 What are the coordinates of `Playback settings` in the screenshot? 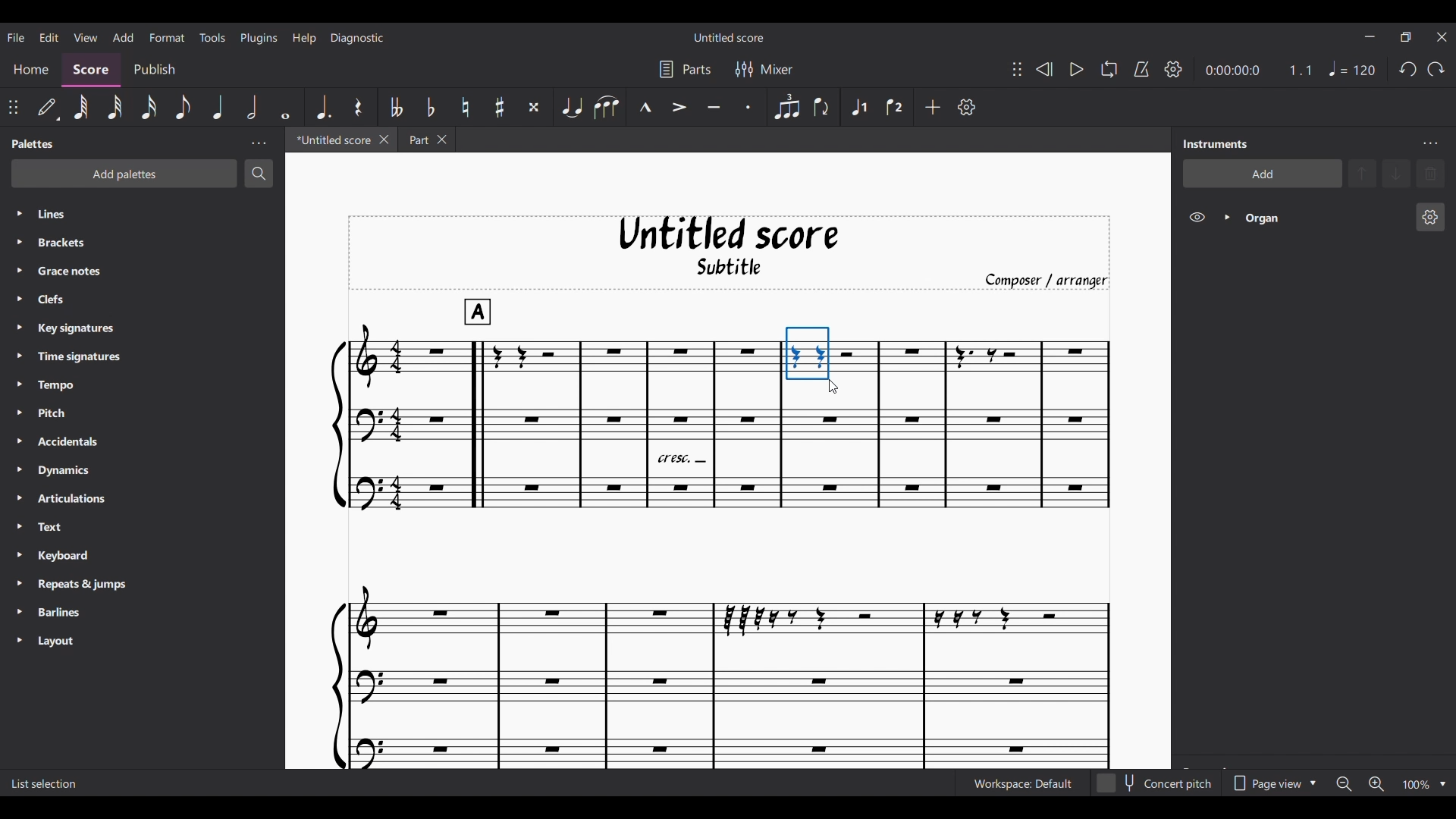 It's located at (1173, 69).